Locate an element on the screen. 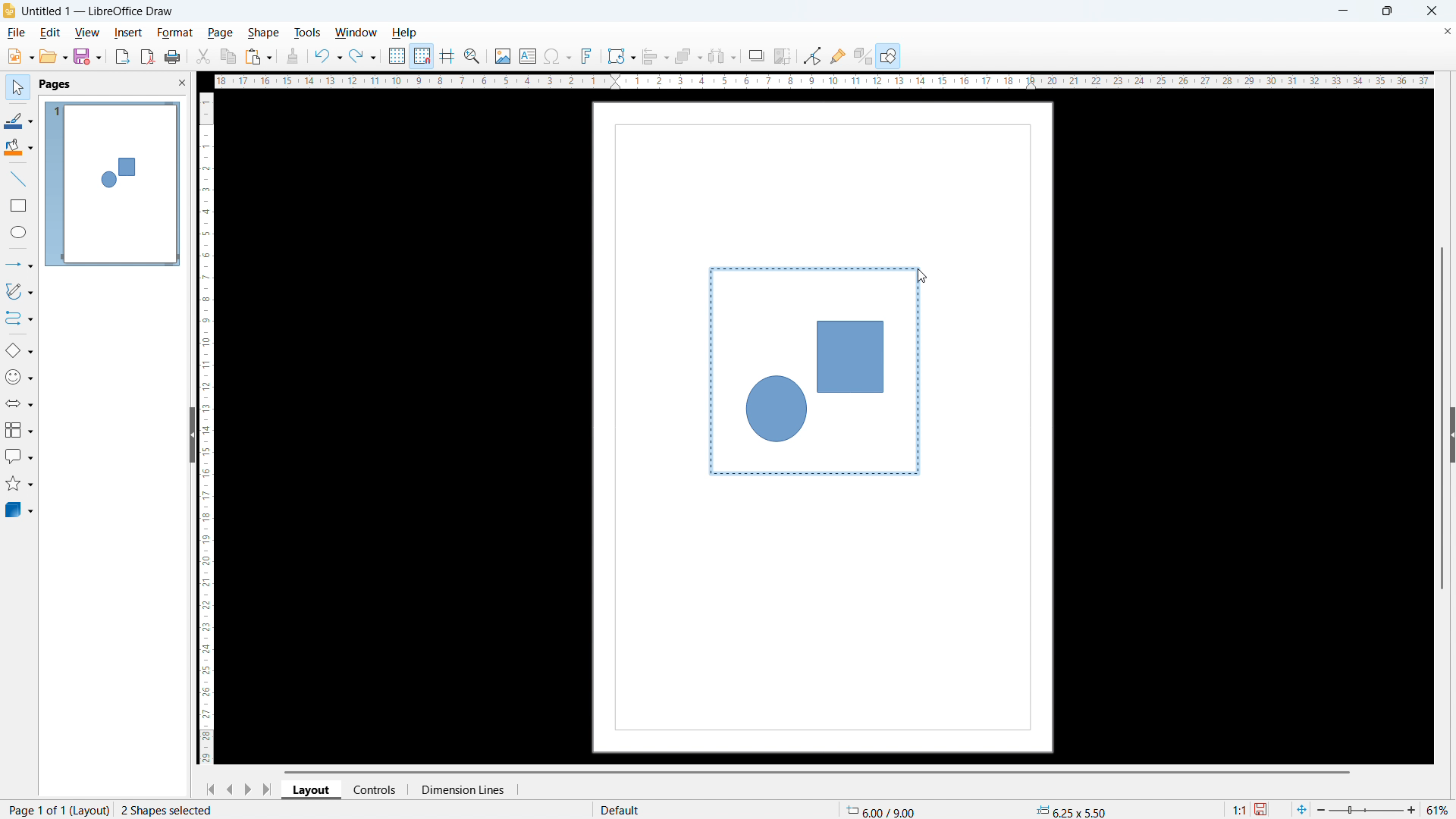  background color is located at coordinates (20, 148).